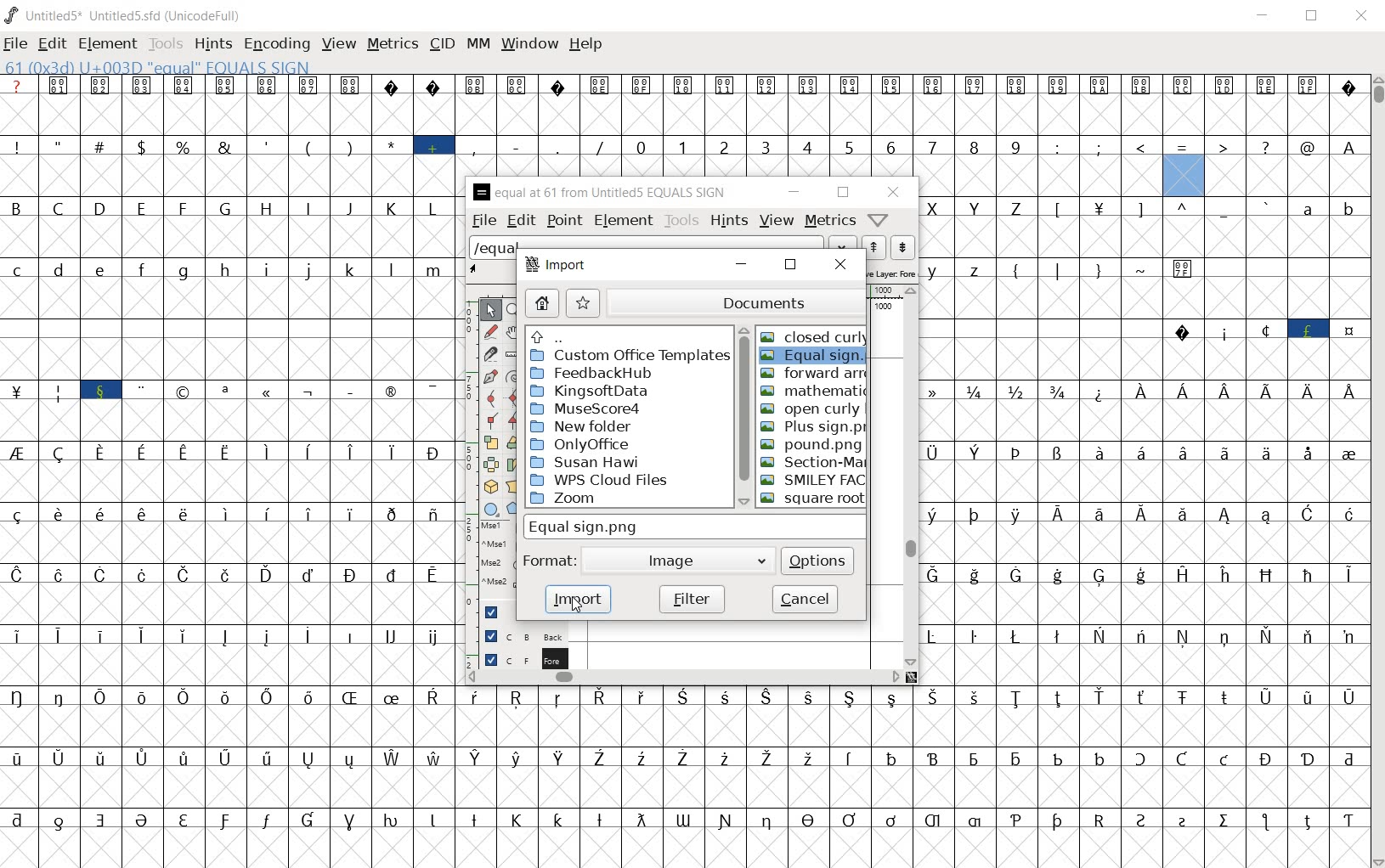 The image size is (1385, 868). I want to click on scrollbar, so click(911, 476).